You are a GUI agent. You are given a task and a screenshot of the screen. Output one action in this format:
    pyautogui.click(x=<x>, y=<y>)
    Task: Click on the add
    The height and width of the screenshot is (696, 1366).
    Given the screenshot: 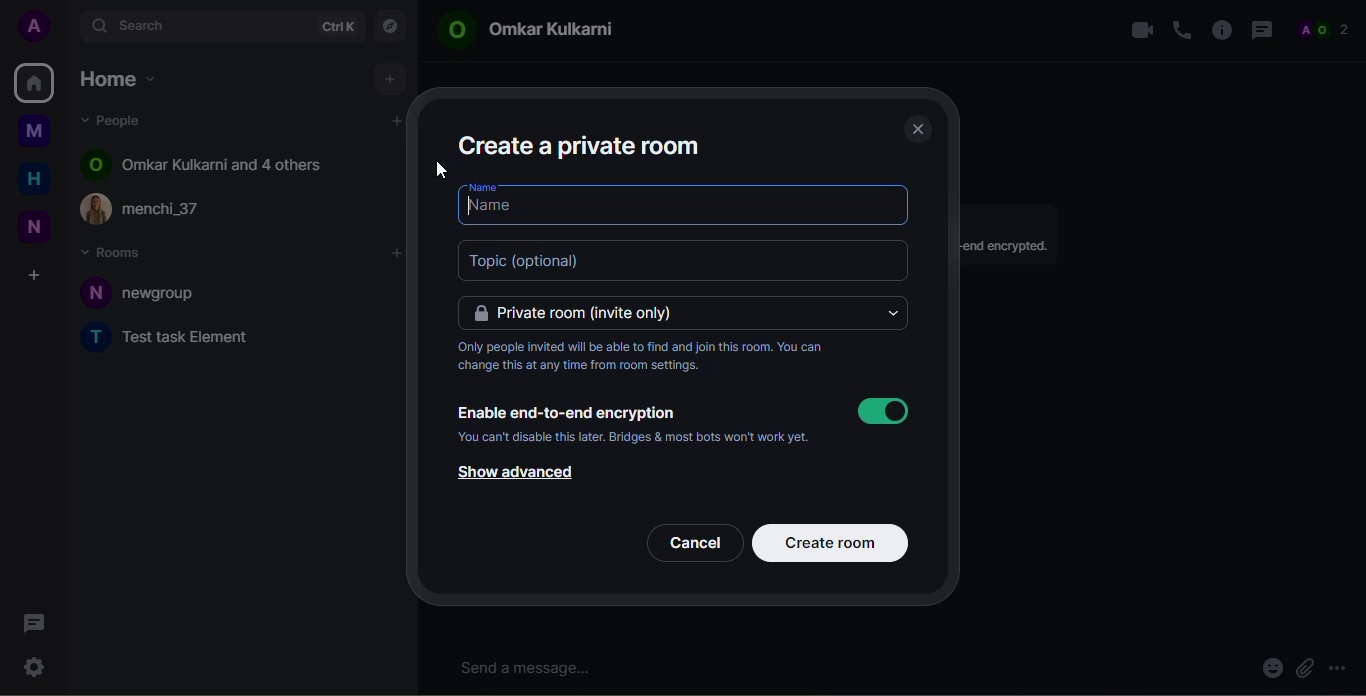 What is the action you would take?
    pyautogui.click(x=397, y=121)
    